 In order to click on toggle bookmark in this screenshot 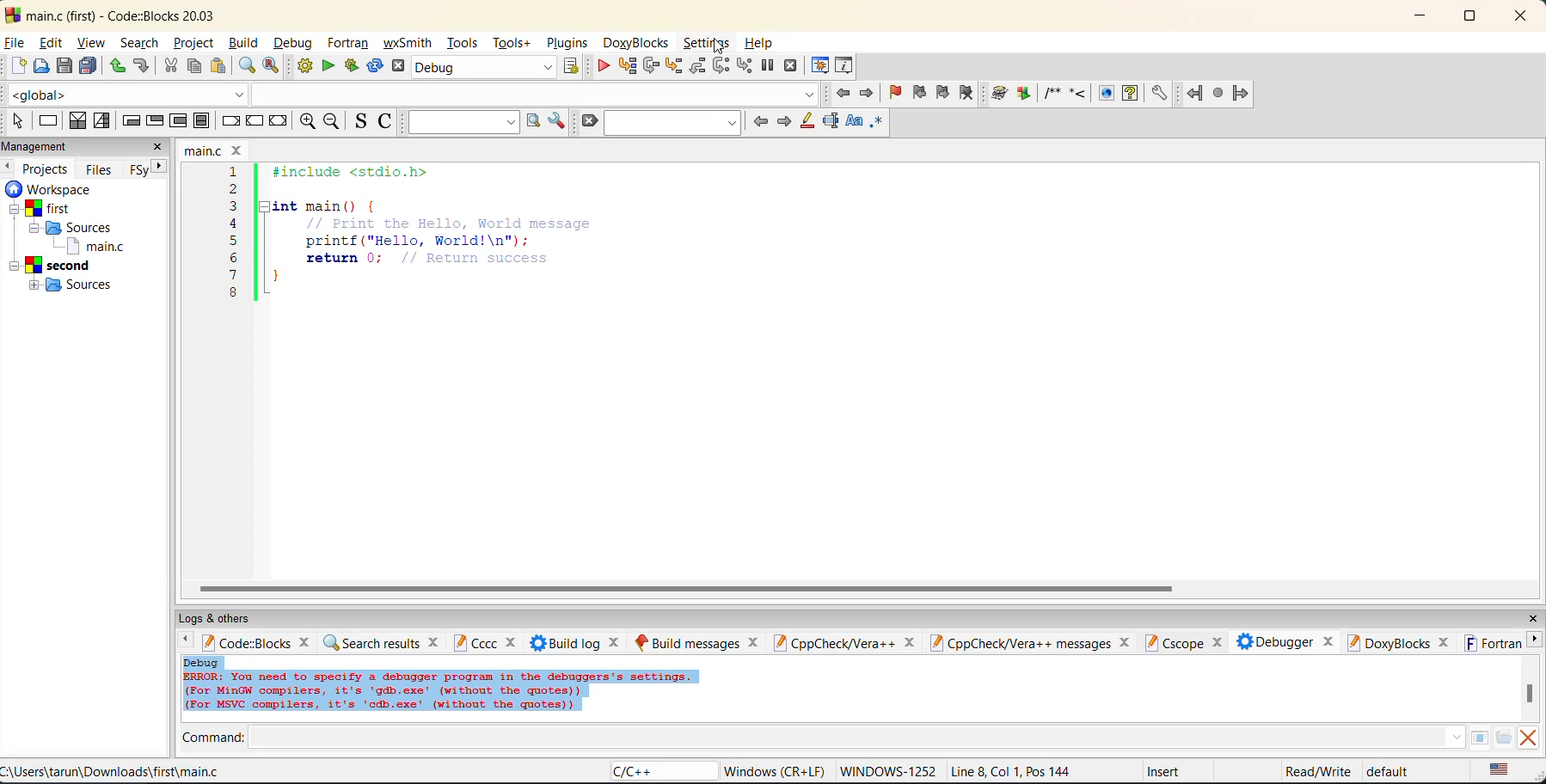, I will do `click(895, 93)`.